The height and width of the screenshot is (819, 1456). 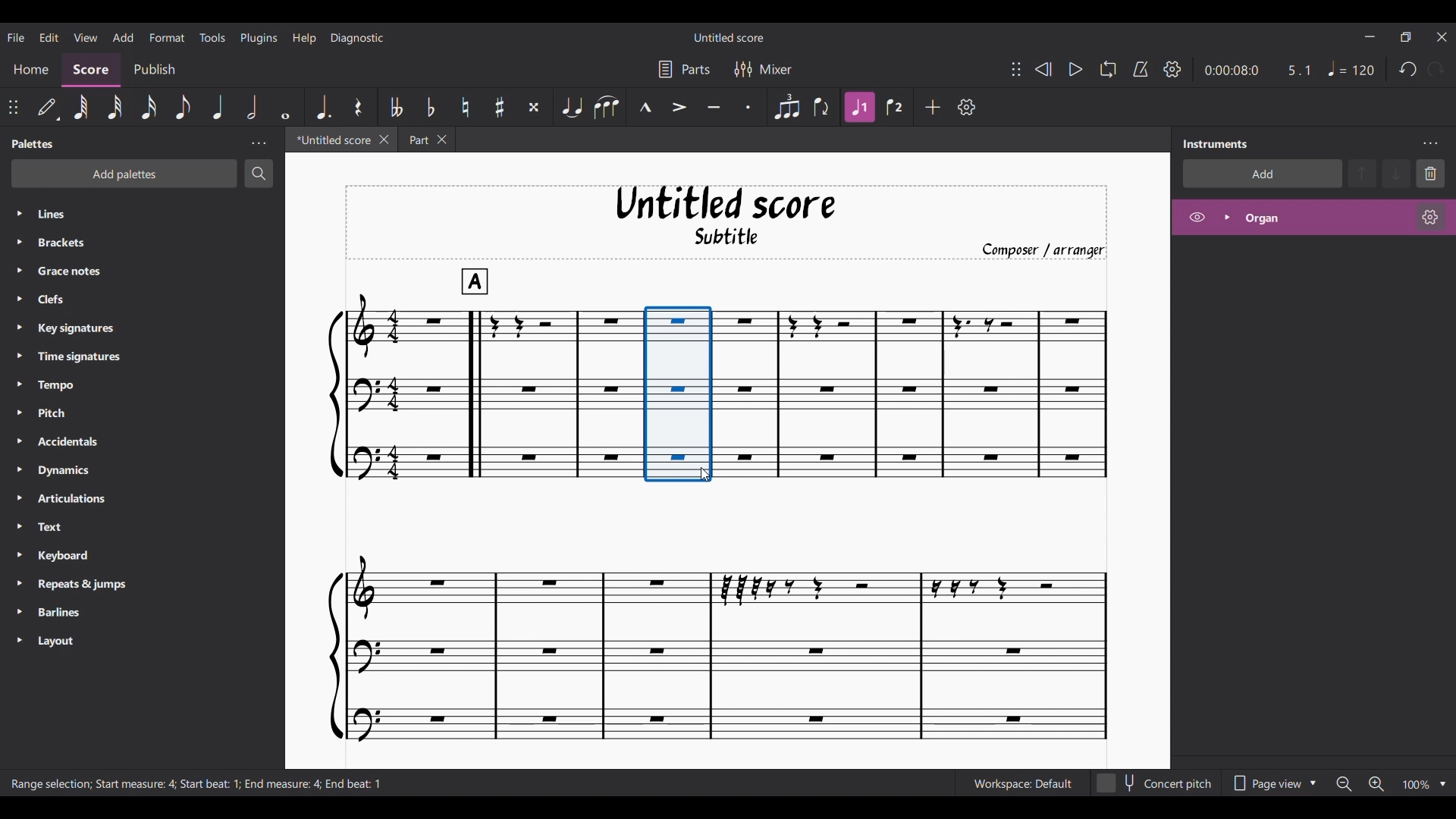 I want to click on Tuplet, so click(x=787, y=108).